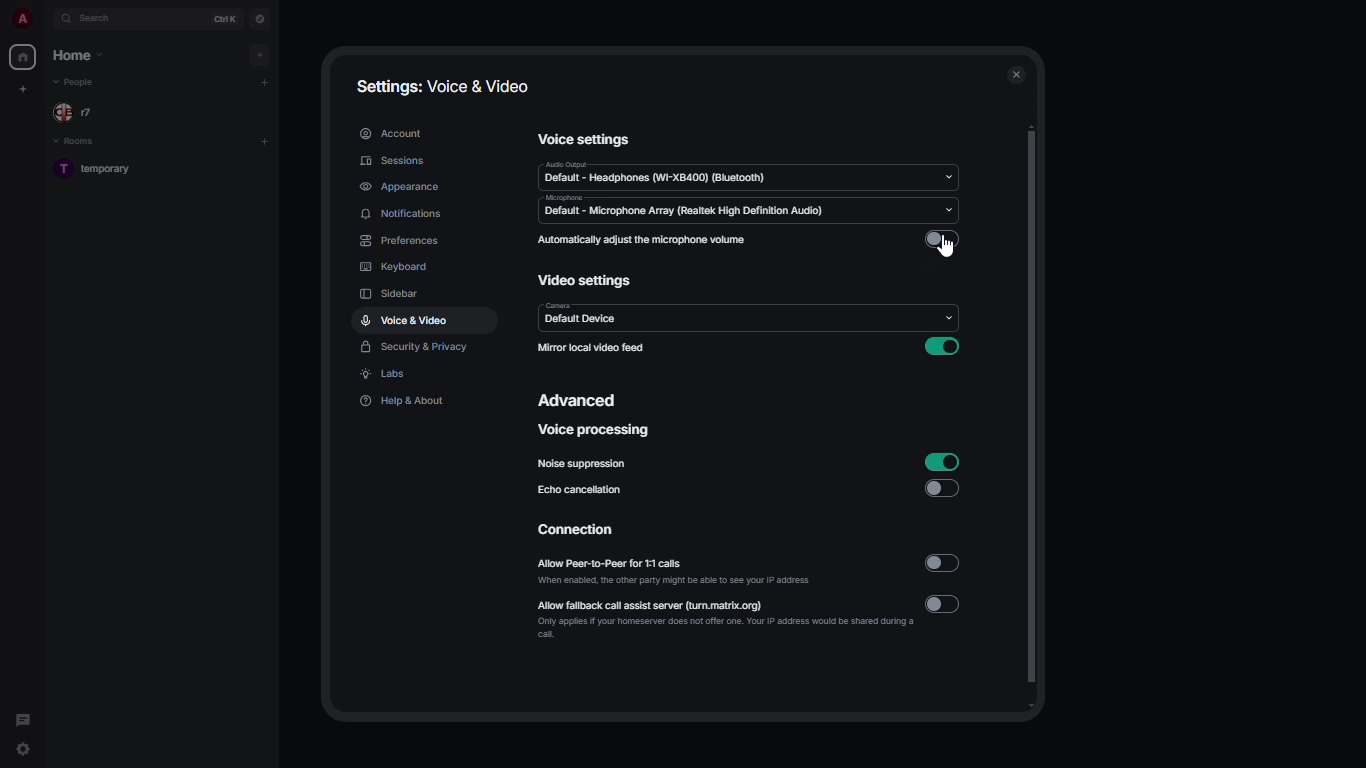 The height and width of the screenshot is (768, 1366). I want to click on room, so click(99, 168).